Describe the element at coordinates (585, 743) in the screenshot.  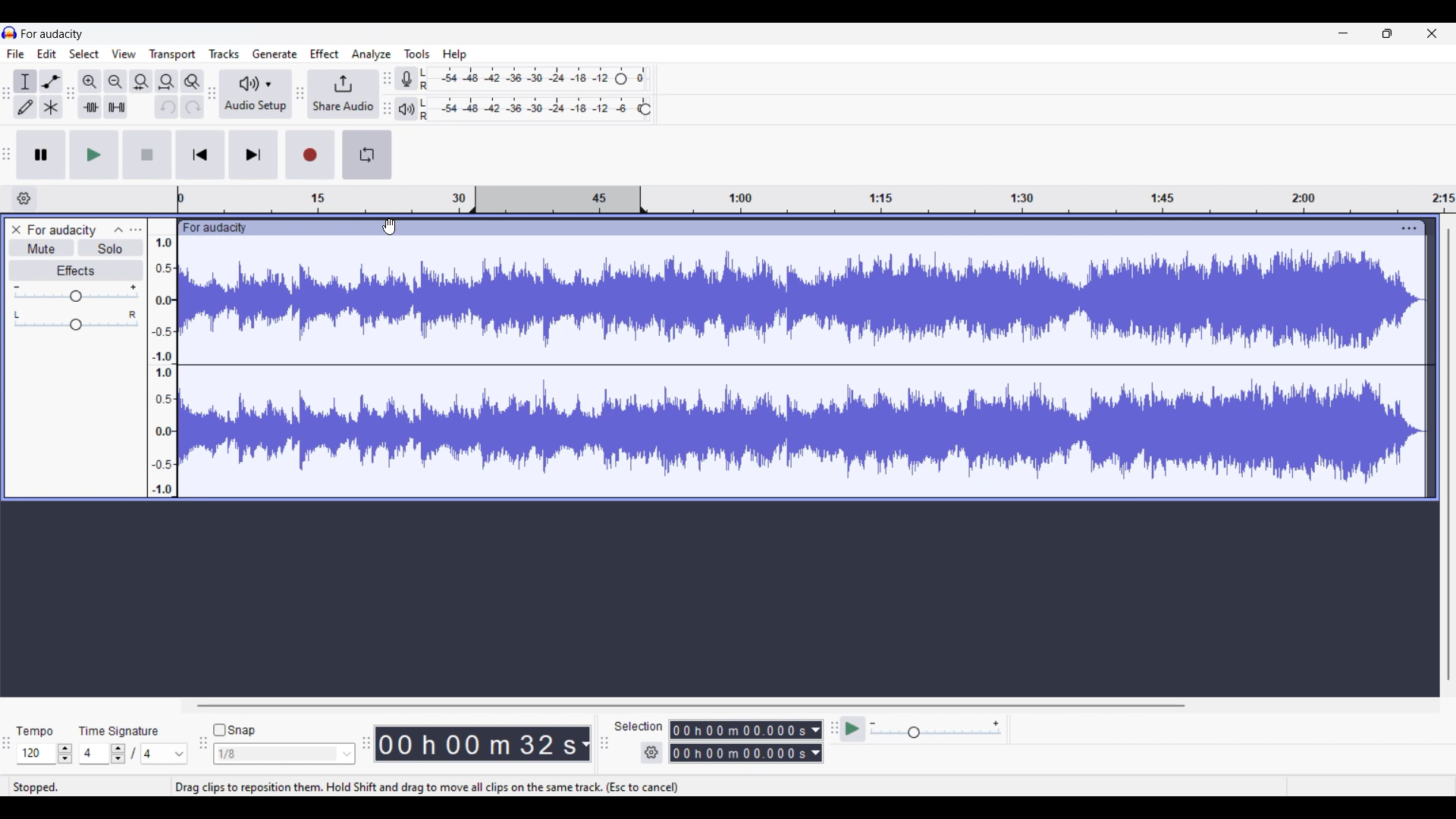
I see `Duration measurement` at that location.